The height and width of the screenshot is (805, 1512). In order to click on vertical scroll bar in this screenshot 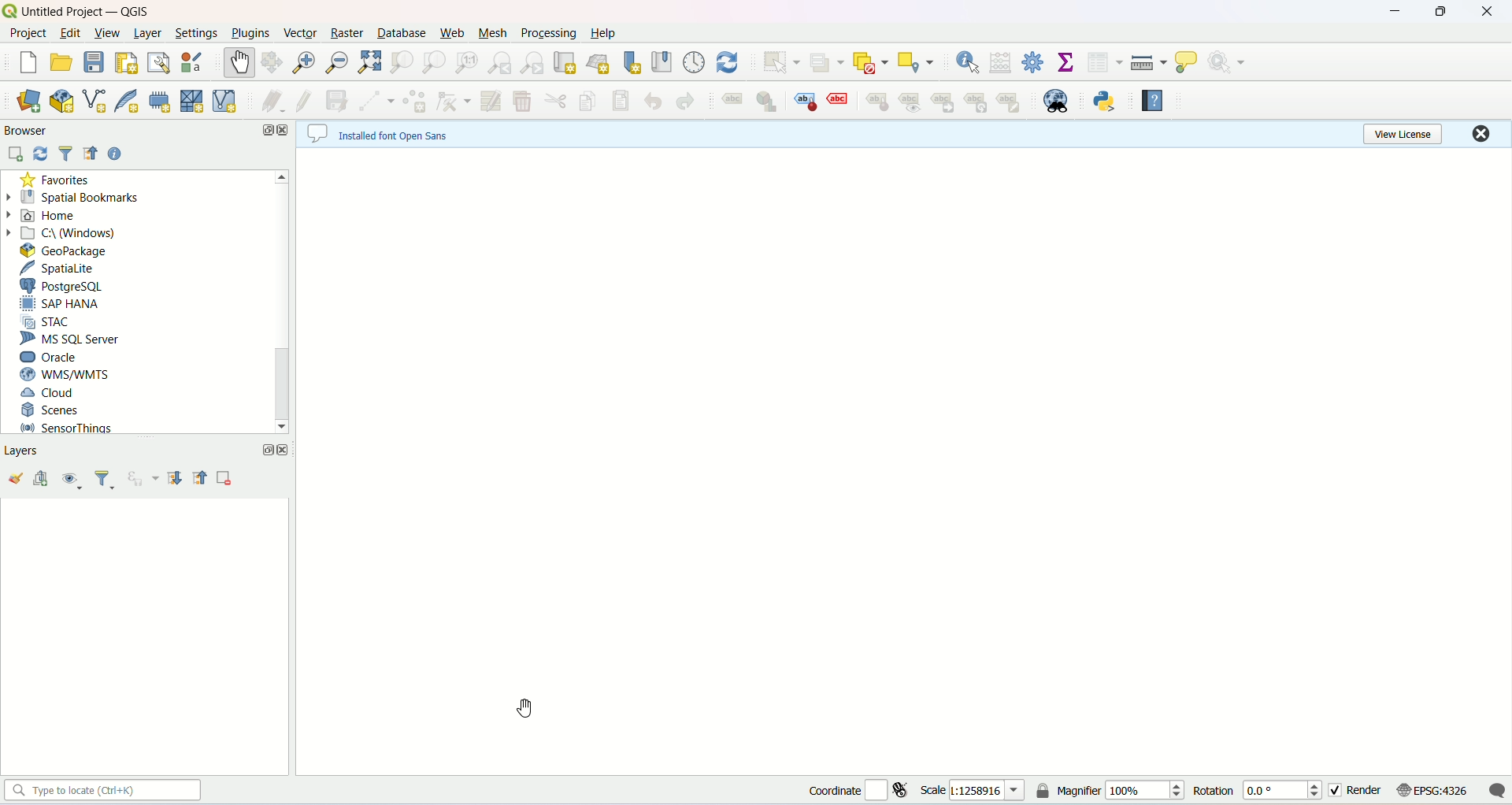, I will do `click(278, 302)`.